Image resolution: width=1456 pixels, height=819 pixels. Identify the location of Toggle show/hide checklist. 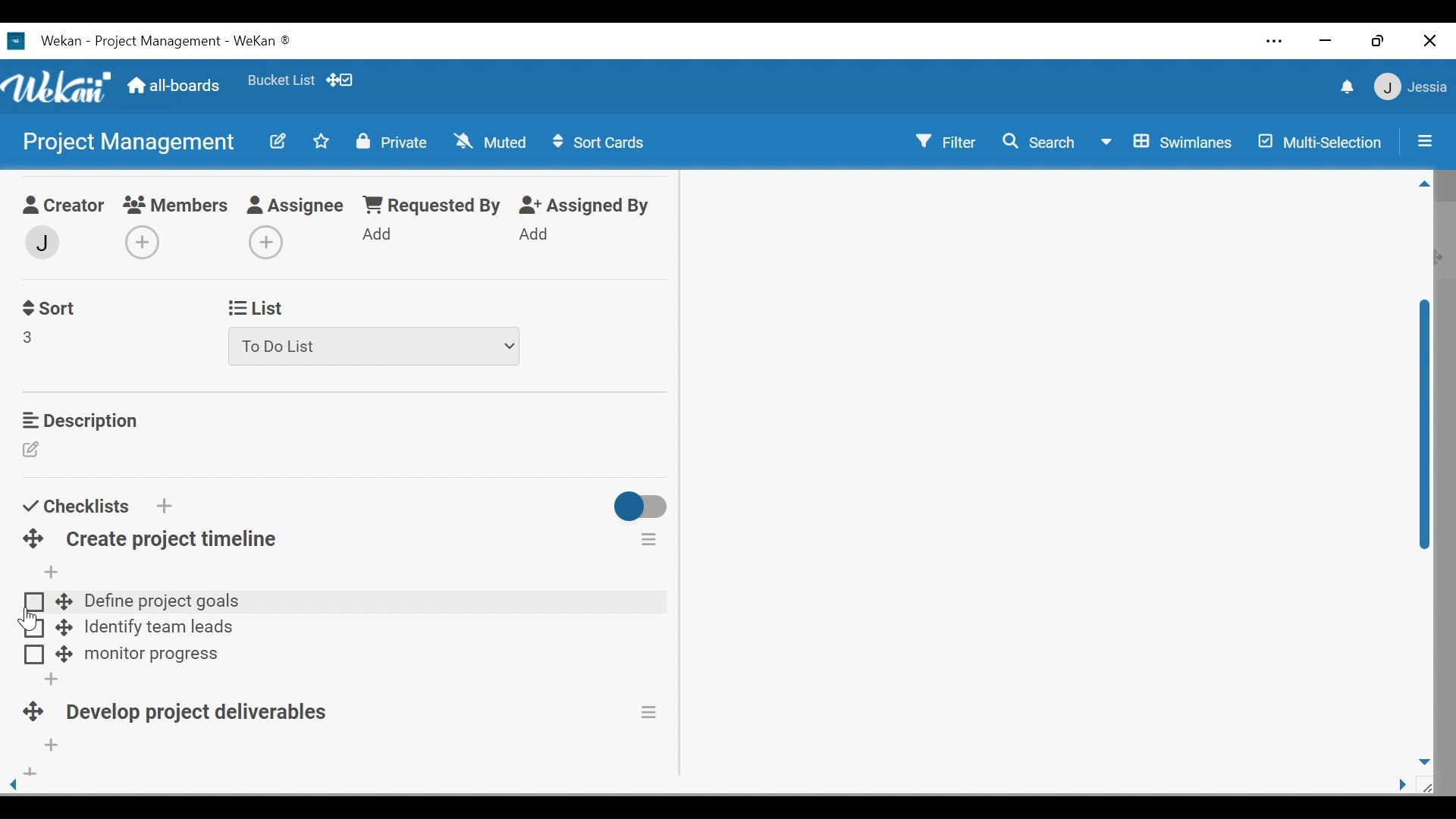
(642, 509).